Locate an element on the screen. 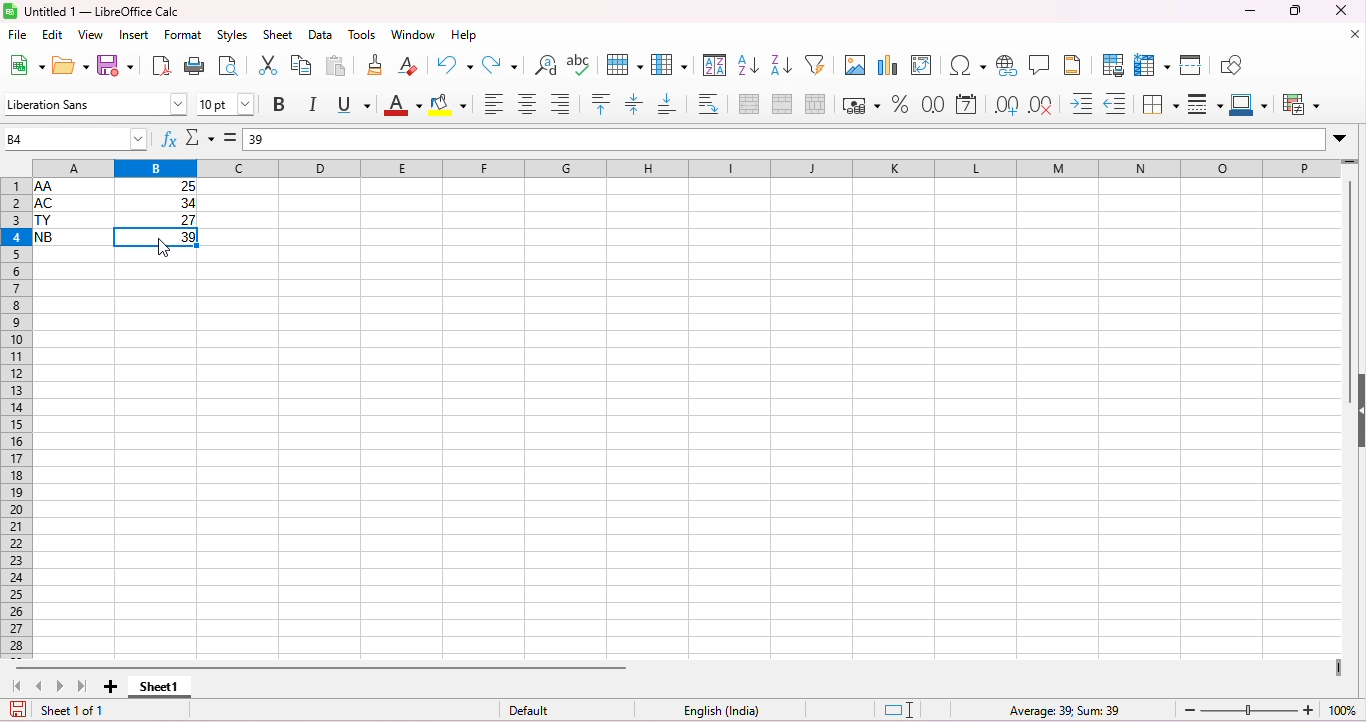 The image size is (1366, 722). format is located at coordinates (184, 36).